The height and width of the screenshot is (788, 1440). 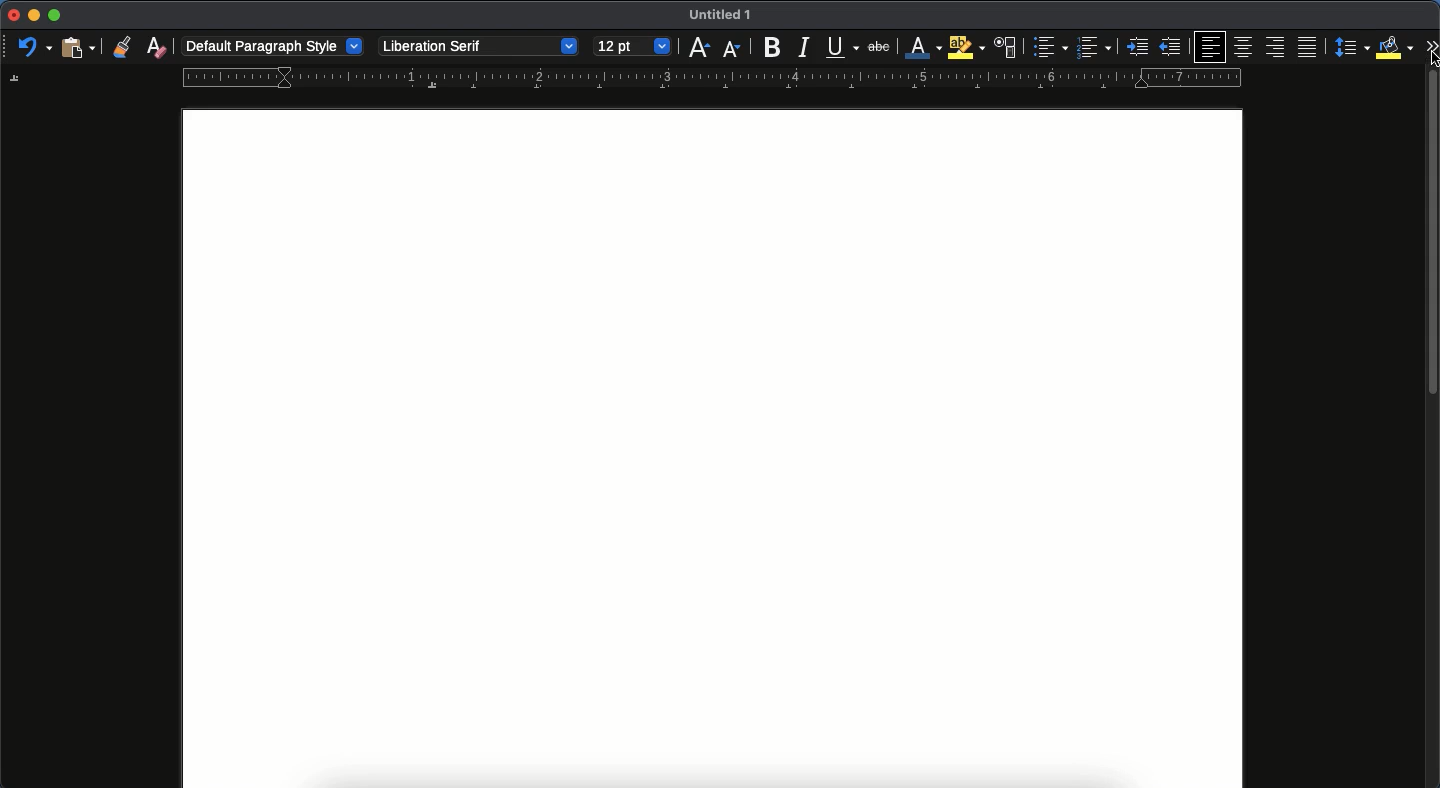 I want to click on Cursor, so click(x=1431, y=59).